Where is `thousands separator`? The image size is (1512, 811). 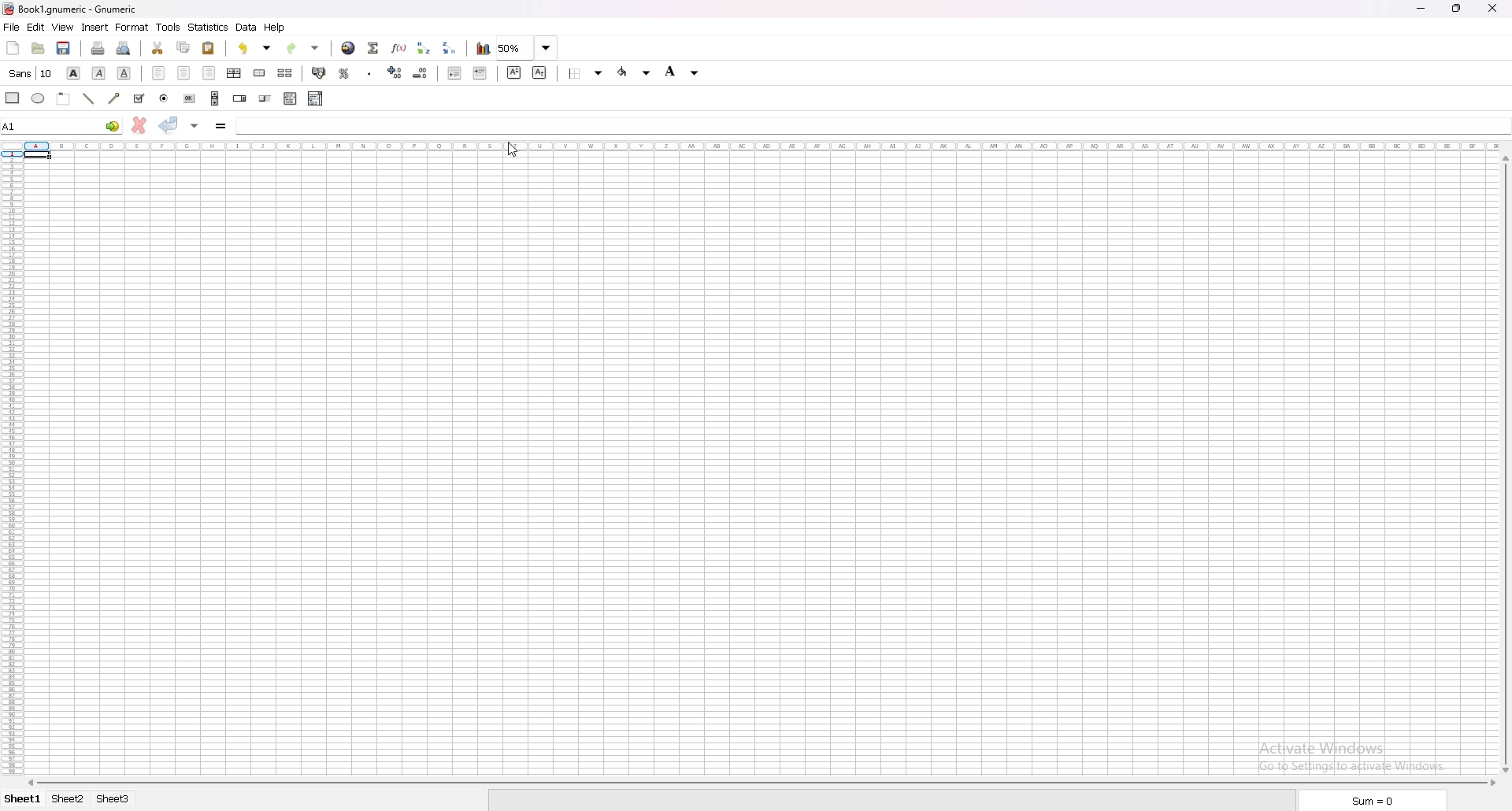
thousands separator is located at coordinates (369, 72).